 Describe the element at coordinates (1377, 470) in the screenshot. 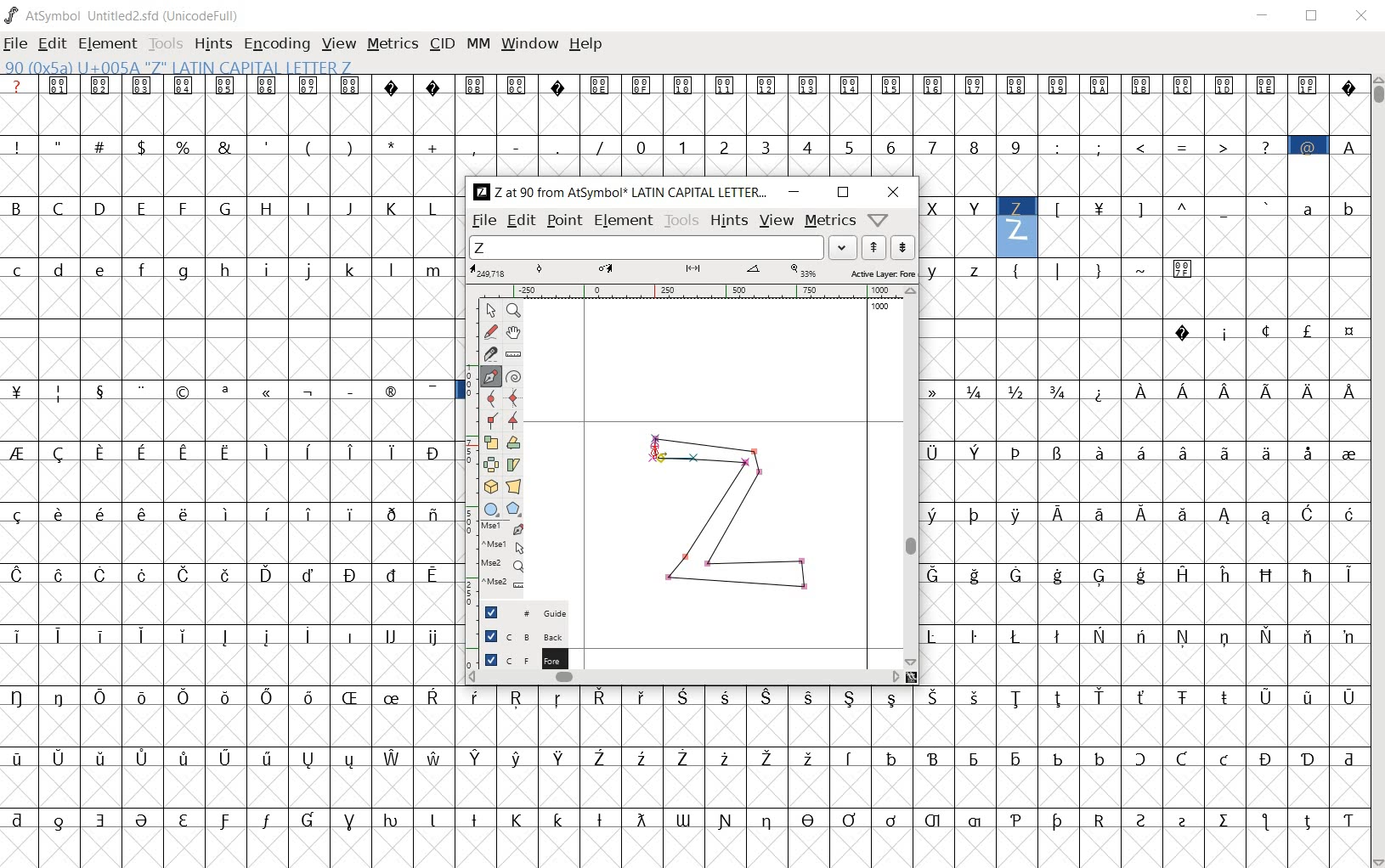

I see `scrollbar` at that location.